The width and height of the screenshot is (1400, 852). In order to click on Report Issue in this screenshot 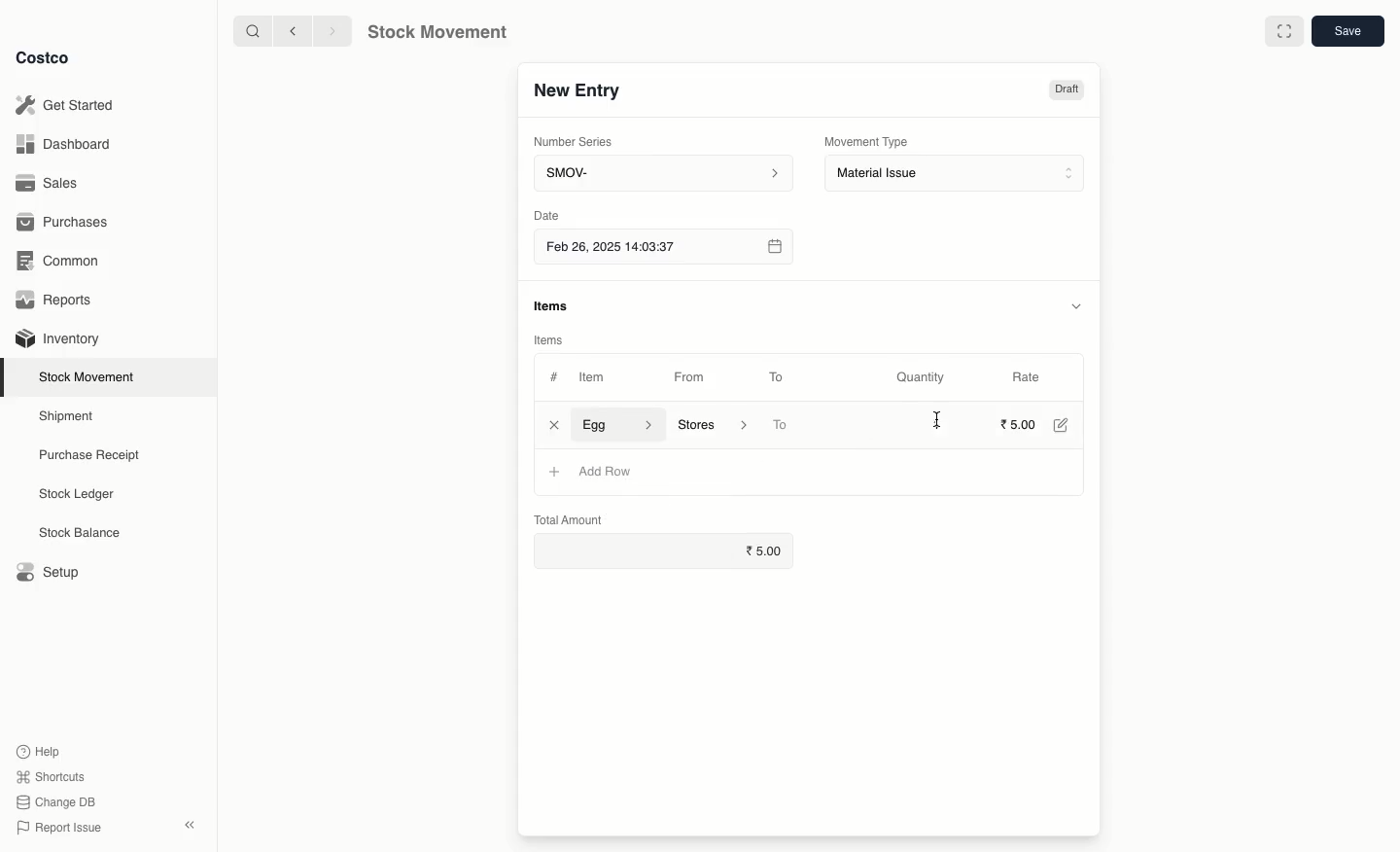, I will do `click(61, 828)`.